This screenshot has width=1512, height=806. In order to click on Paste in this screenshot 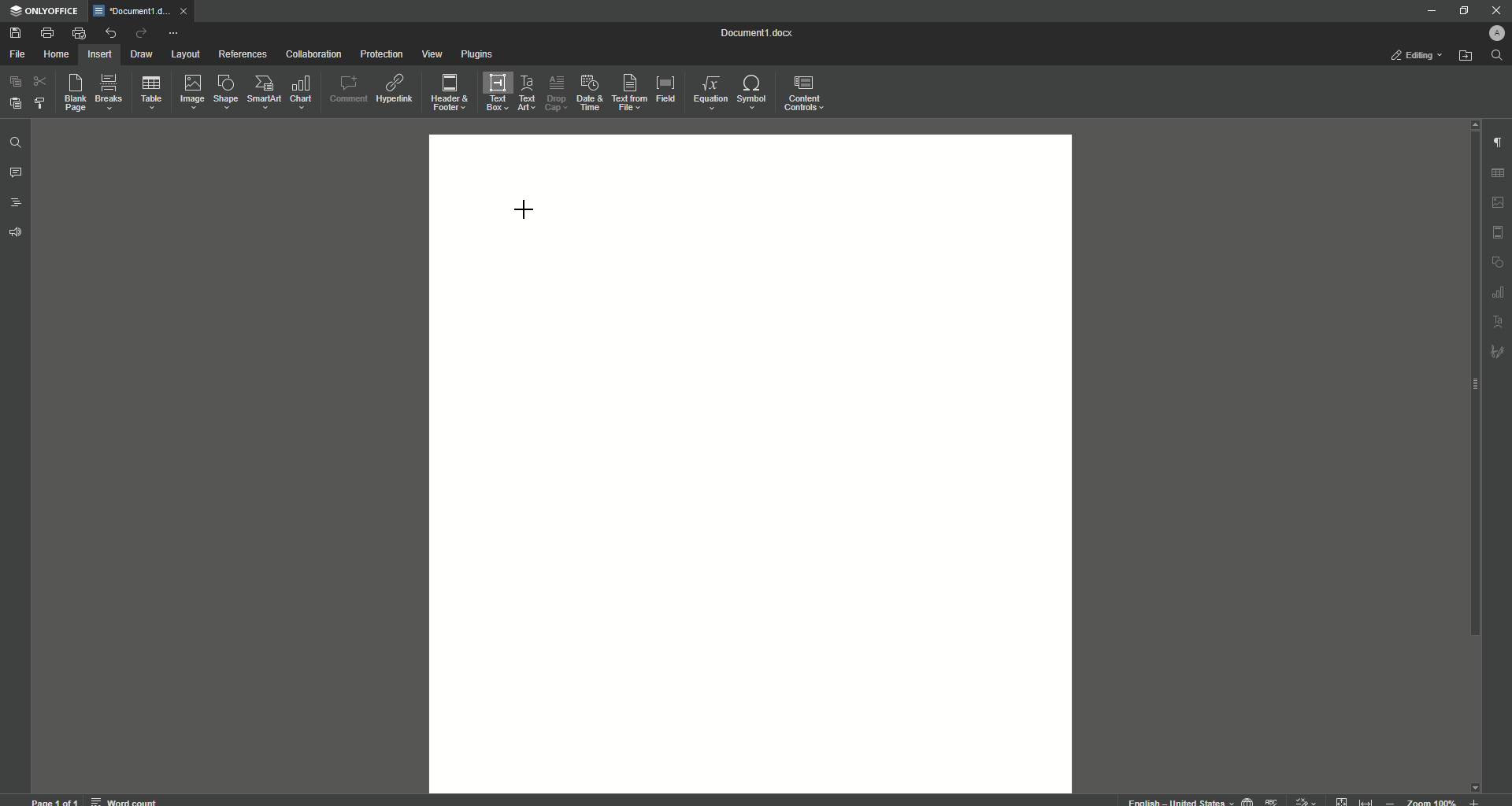, I will do `click(14, 102)`.